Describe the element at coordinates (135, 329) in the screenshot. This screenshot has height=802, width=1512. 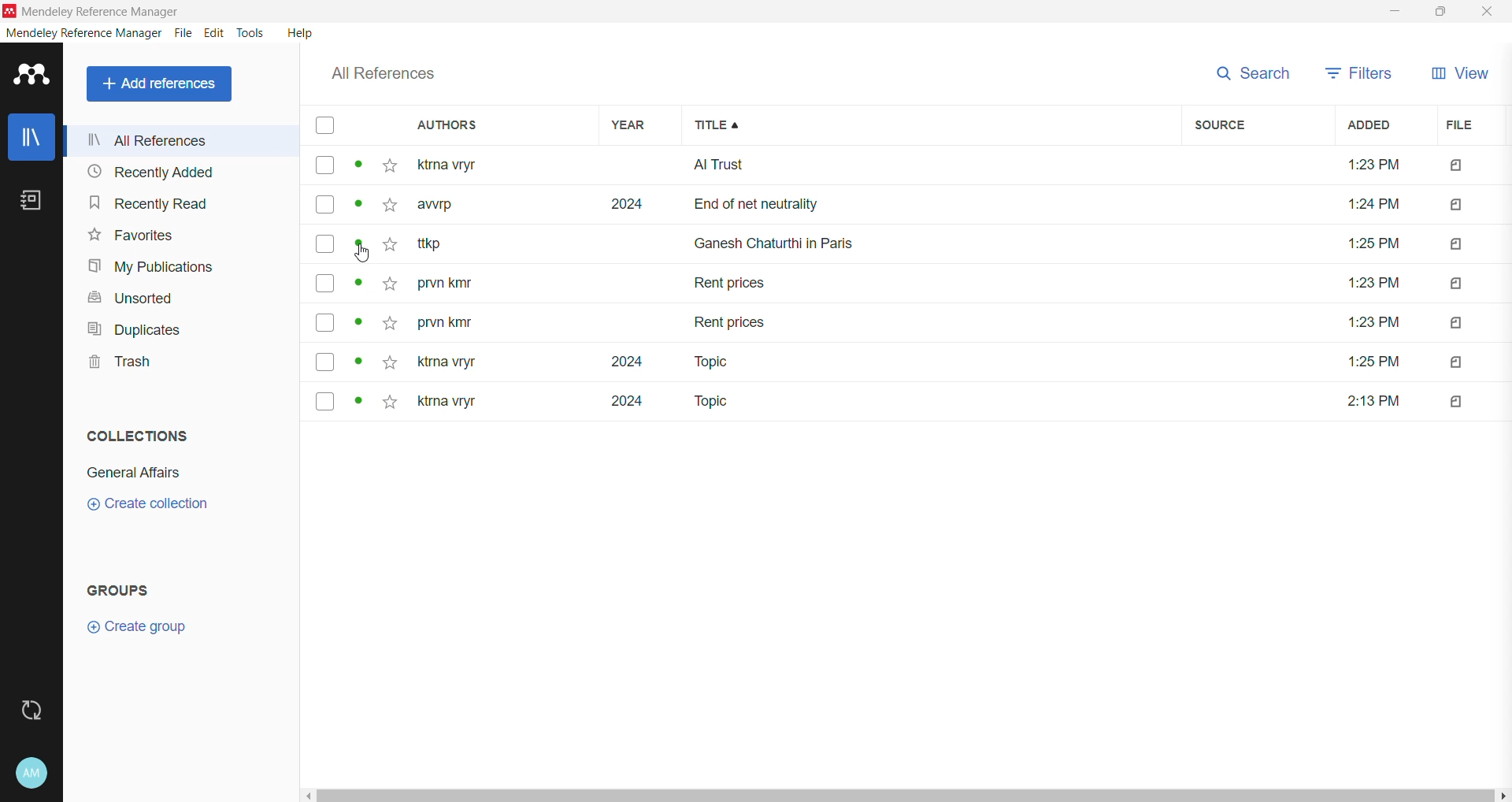
I see `Duplicates` at that location.